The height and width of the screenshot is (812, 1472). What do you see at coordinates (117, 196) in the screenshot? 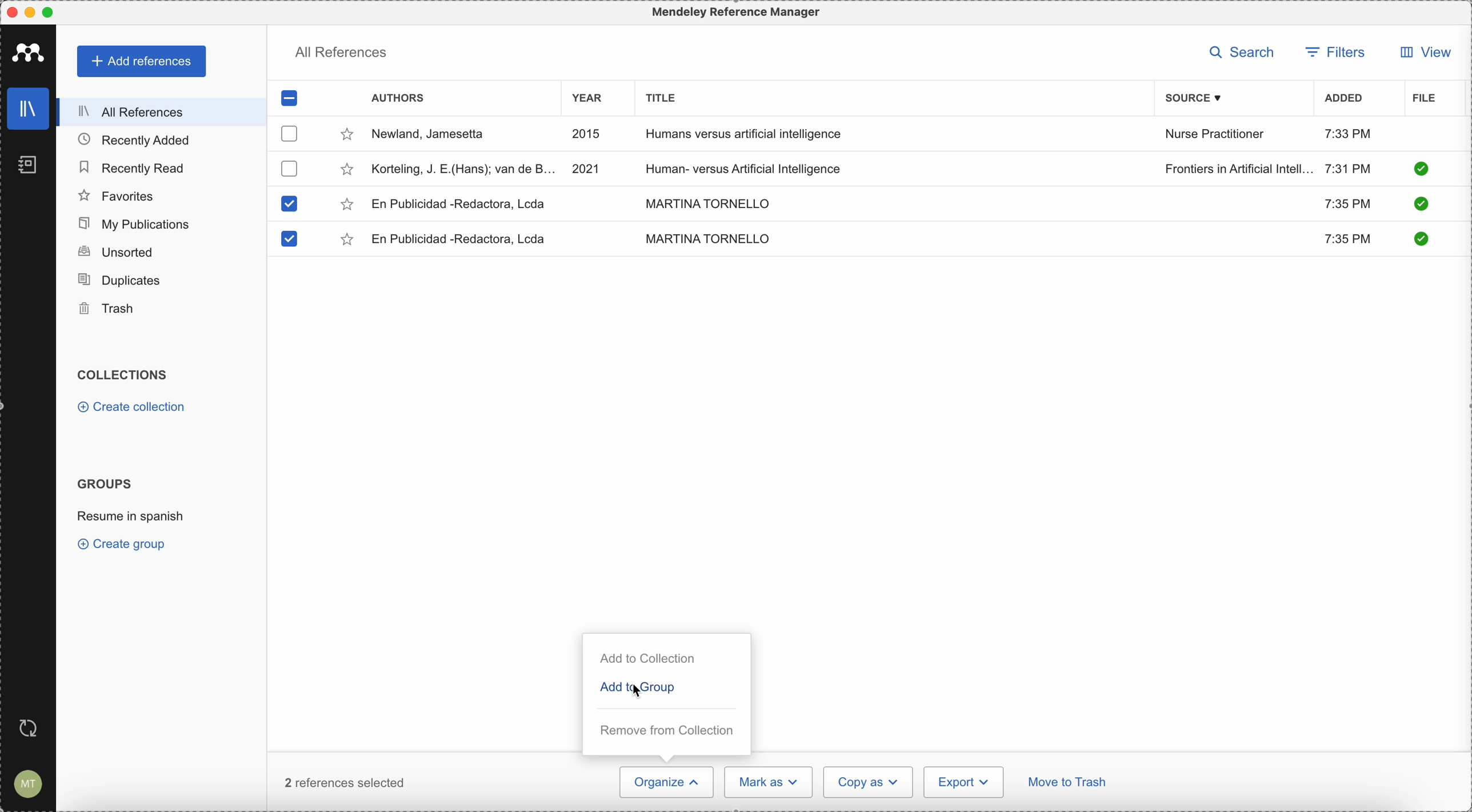
I see `favorites` at bounding box center [117, 196].